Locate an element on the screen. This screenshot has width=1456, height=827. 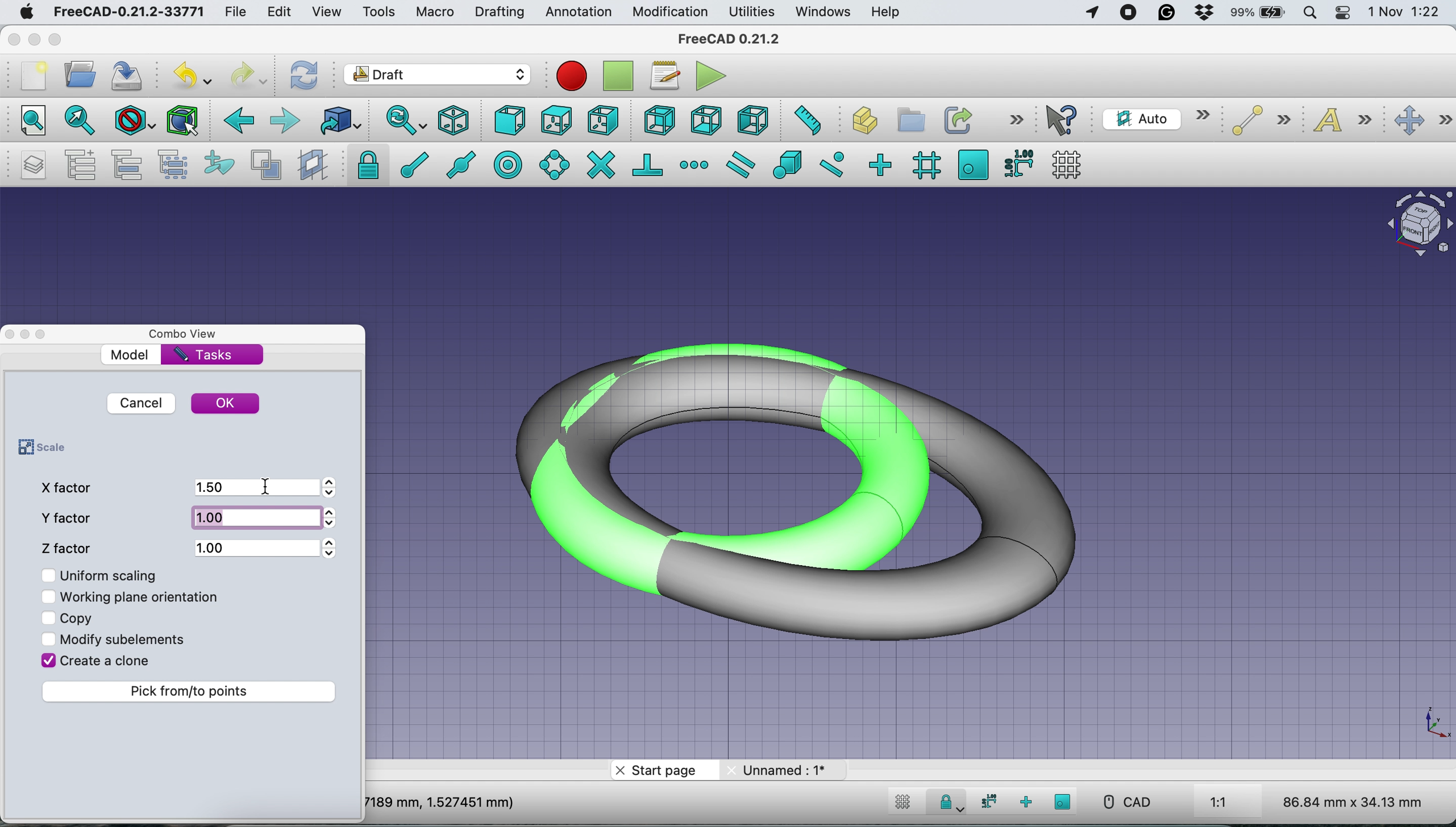
snap perpendicular is located at coordinates (648, 164).